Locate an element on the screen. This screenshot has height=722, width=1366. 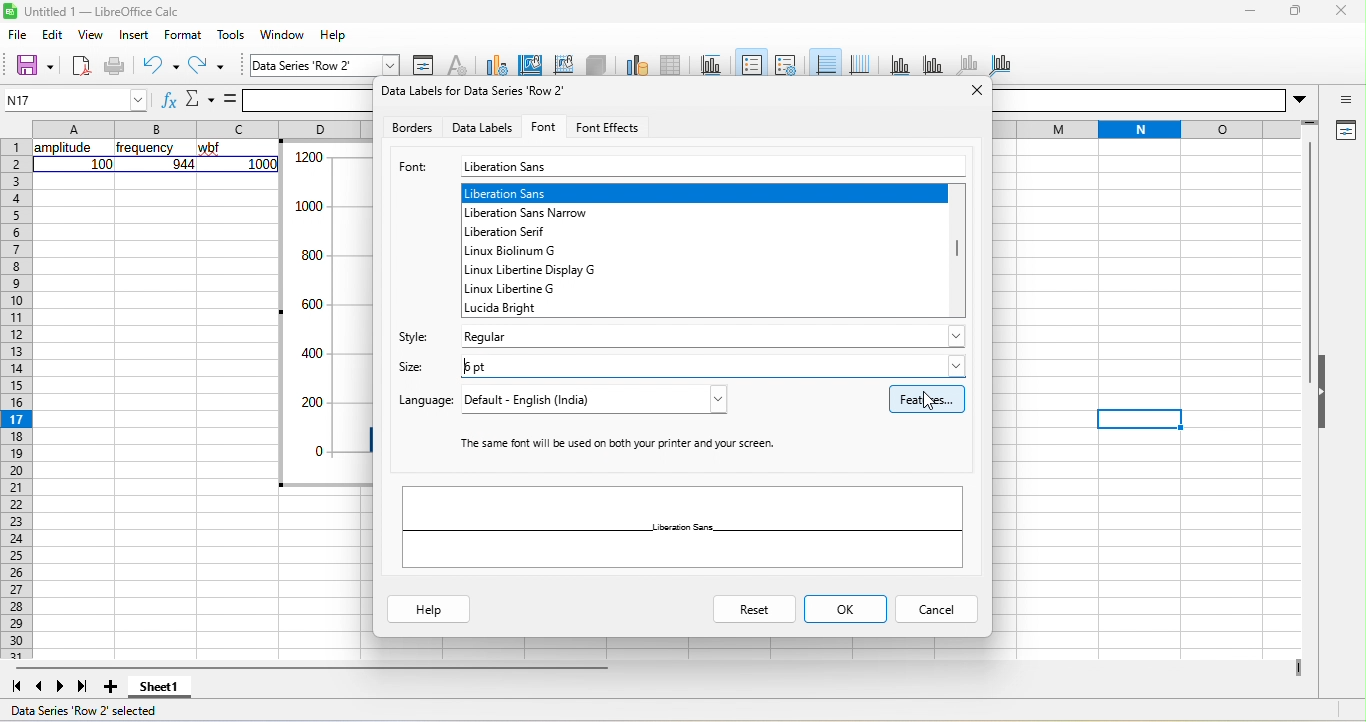
formula bar is located at coordinates (289, 99).